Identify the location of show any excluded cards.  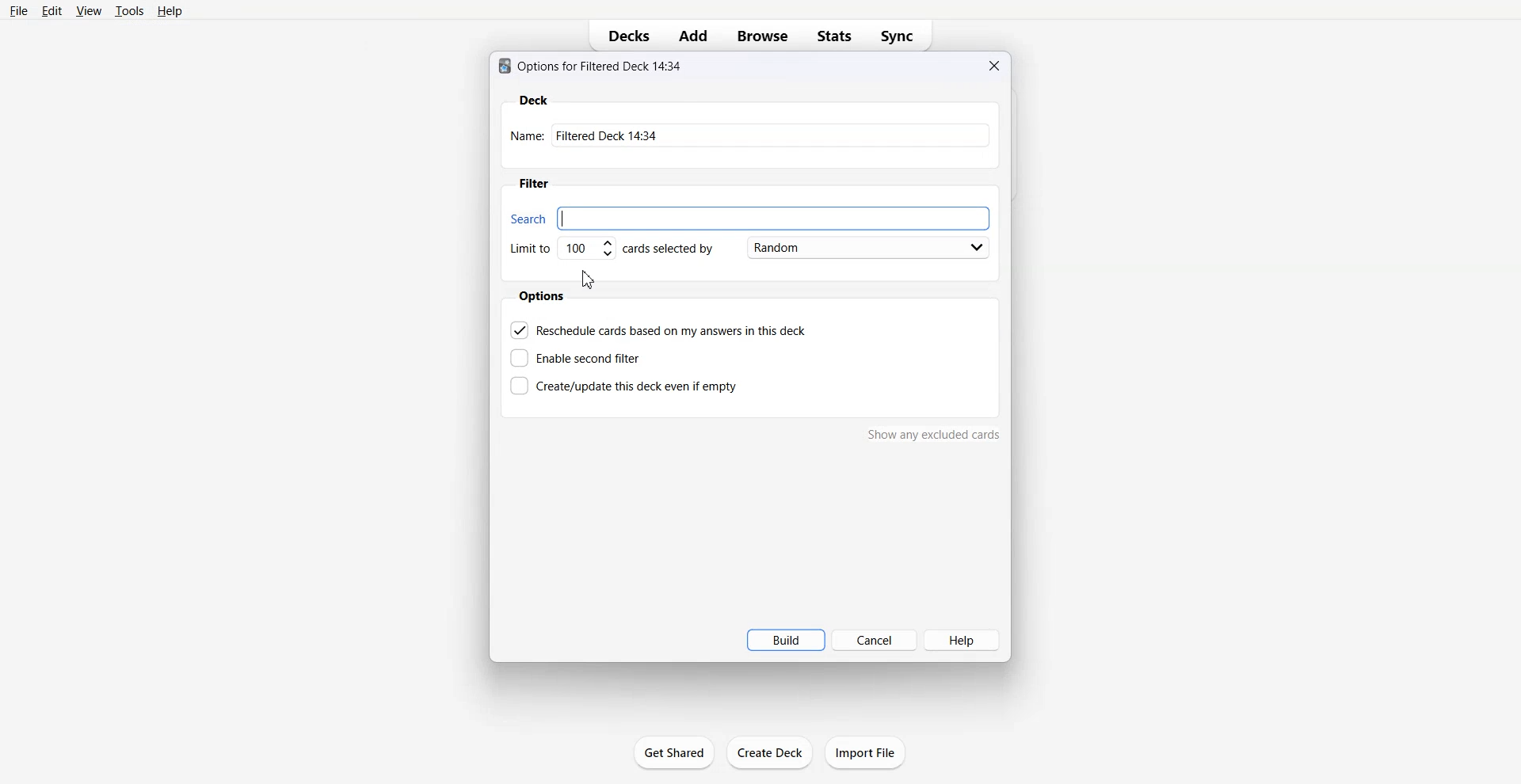
(934, 434).